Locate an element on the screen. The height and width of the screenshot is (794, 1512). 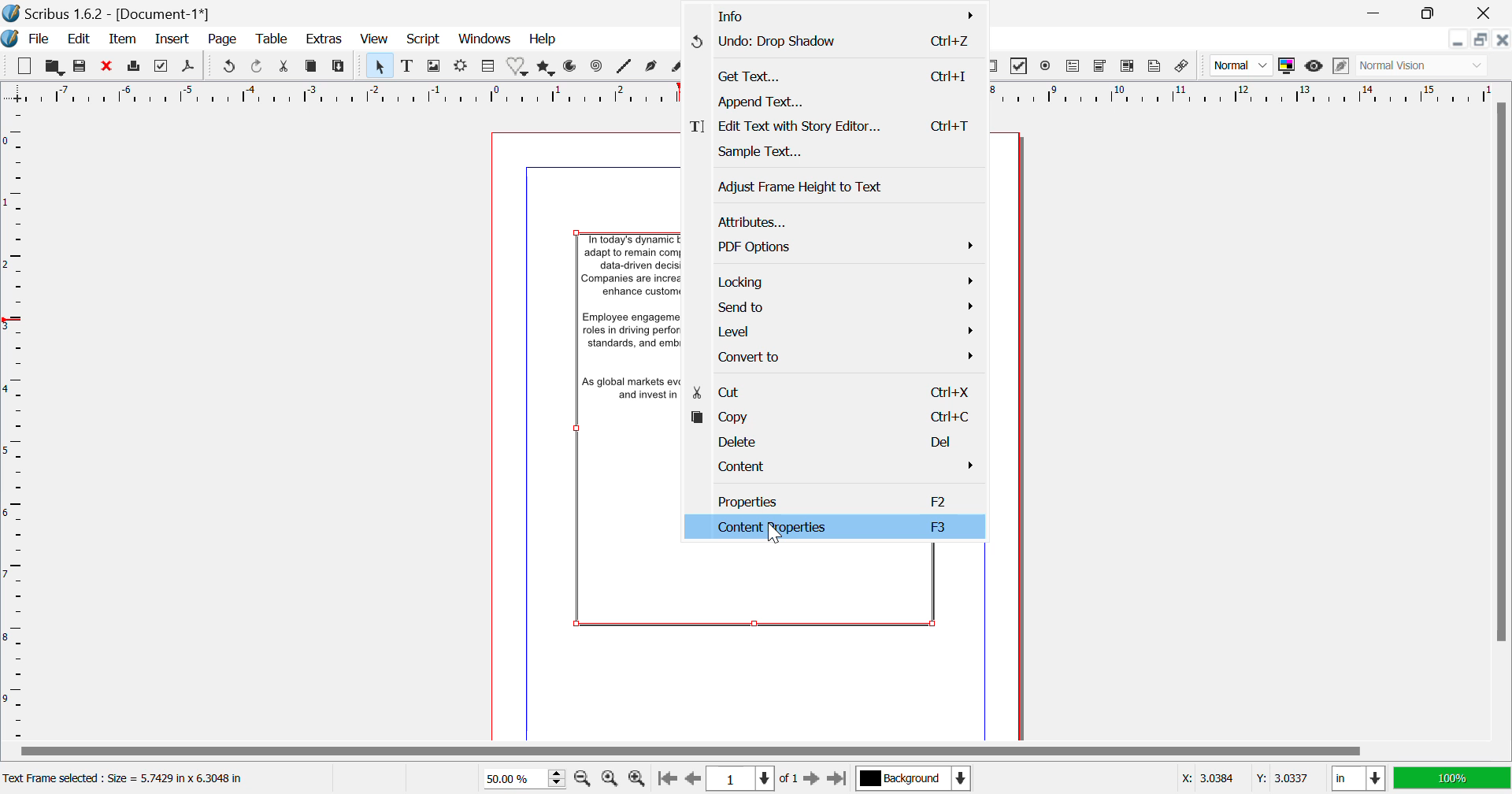
Windows is located at coordinates (485, 39).